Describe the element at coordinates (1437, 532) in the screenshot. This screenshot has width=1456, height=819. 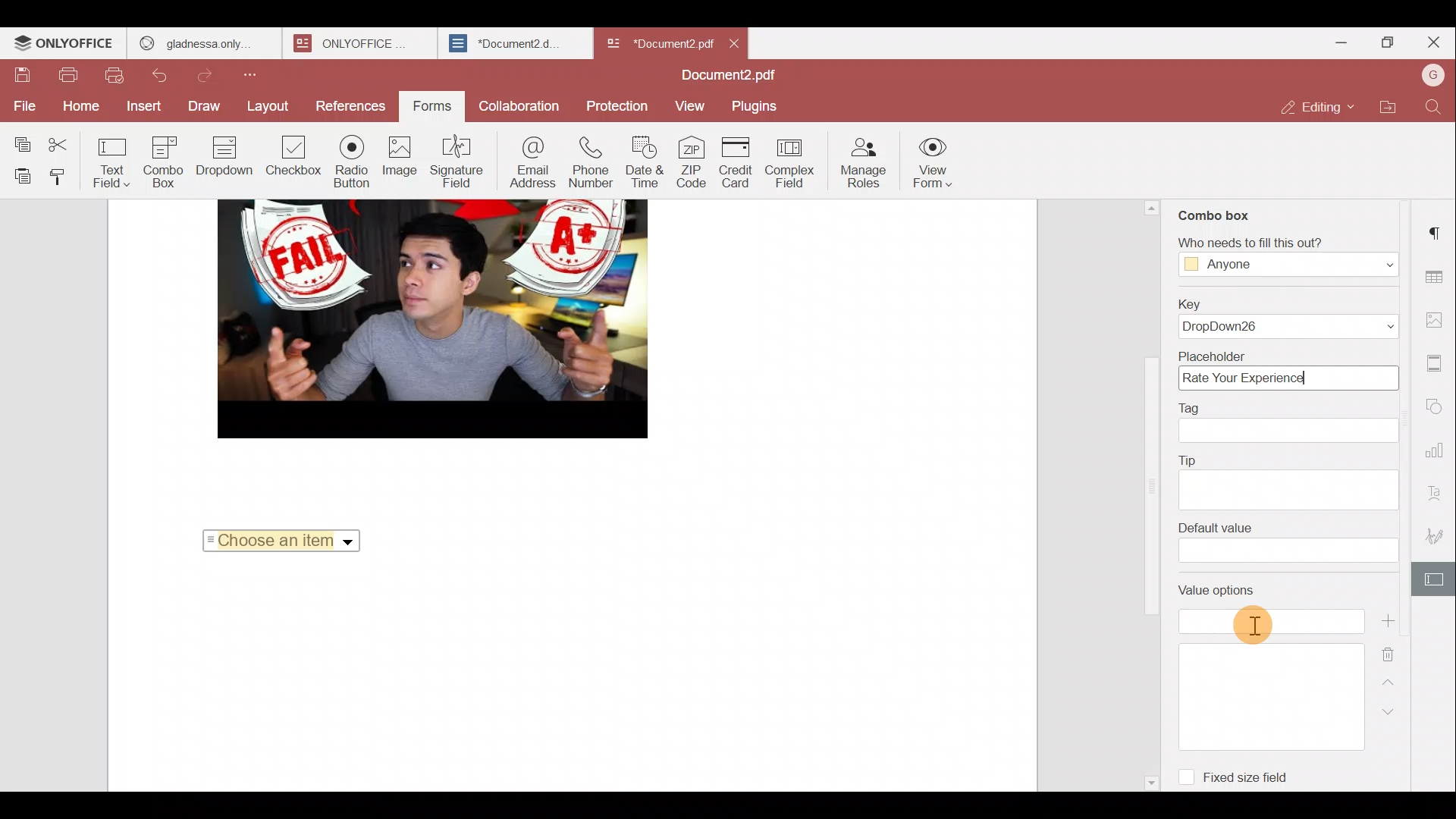
I see `Signature settings` at that location.